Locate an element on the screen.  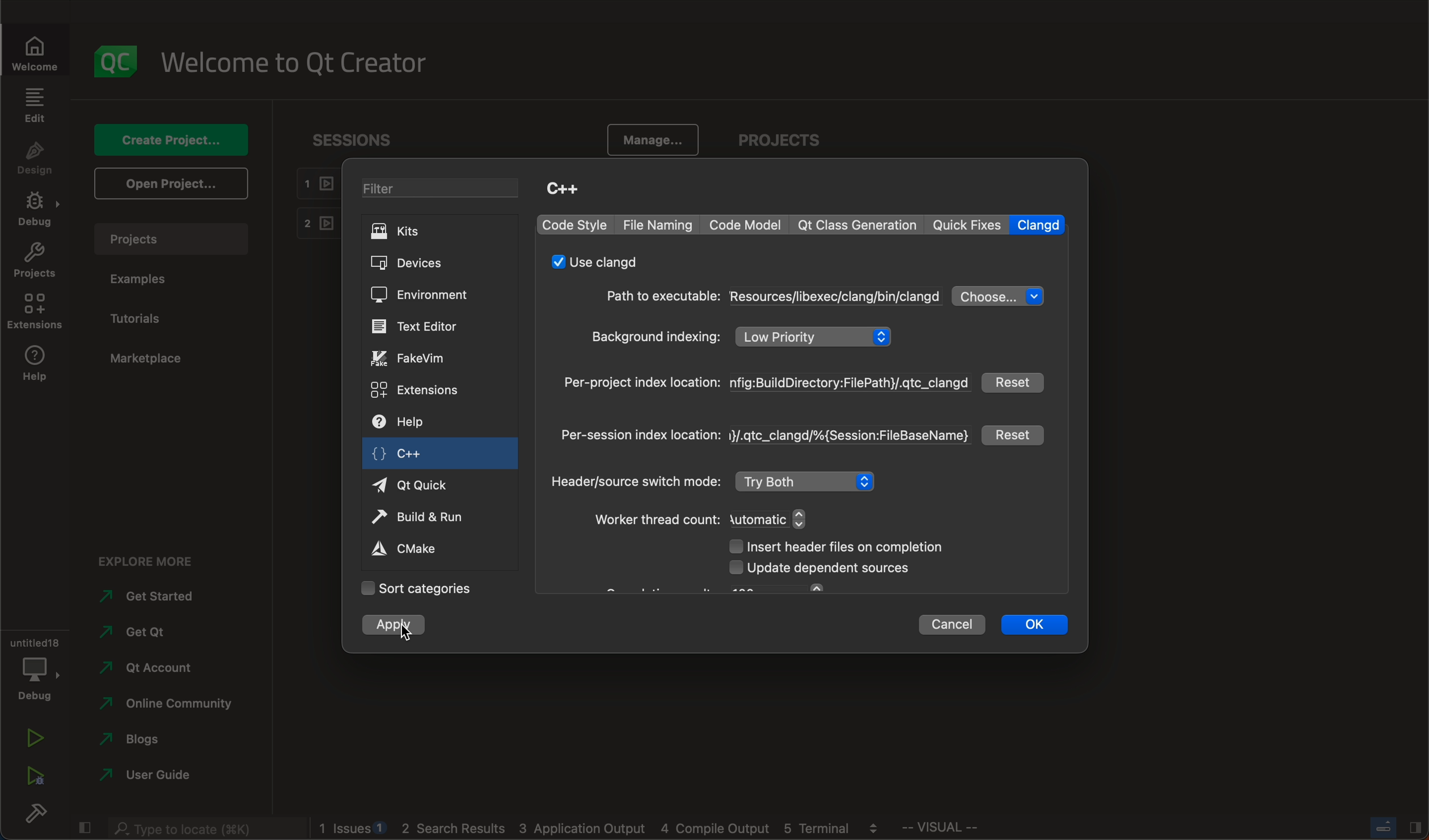
categories is located at coordinates (427, 591).